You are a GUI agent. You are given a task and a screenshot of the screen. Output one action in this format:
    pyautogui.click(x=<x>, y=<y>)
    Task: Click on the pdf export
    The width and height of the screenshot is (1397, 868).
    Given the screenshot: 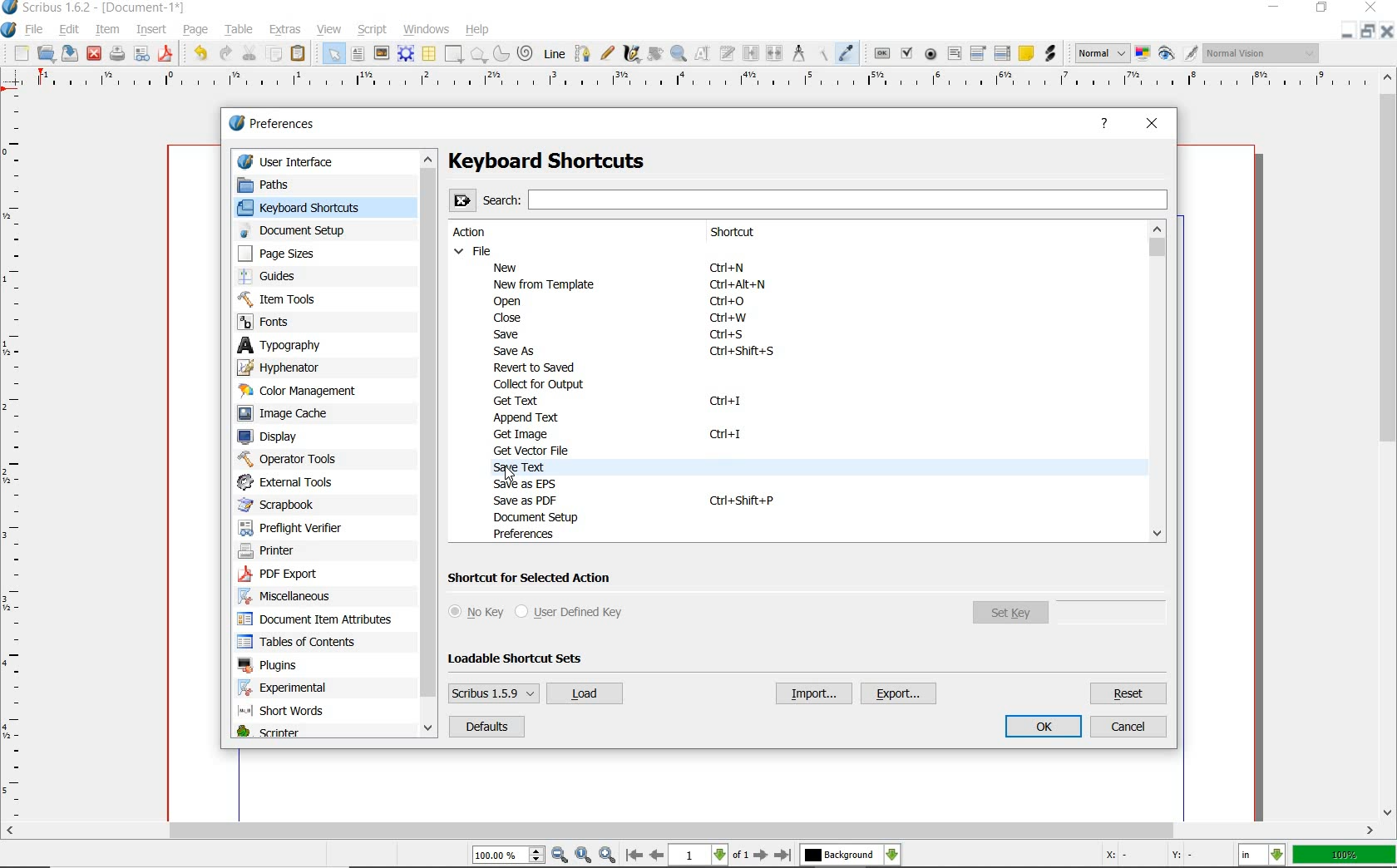 What is the action you would take?
    pyautogui.click(x=297, y=575)
    